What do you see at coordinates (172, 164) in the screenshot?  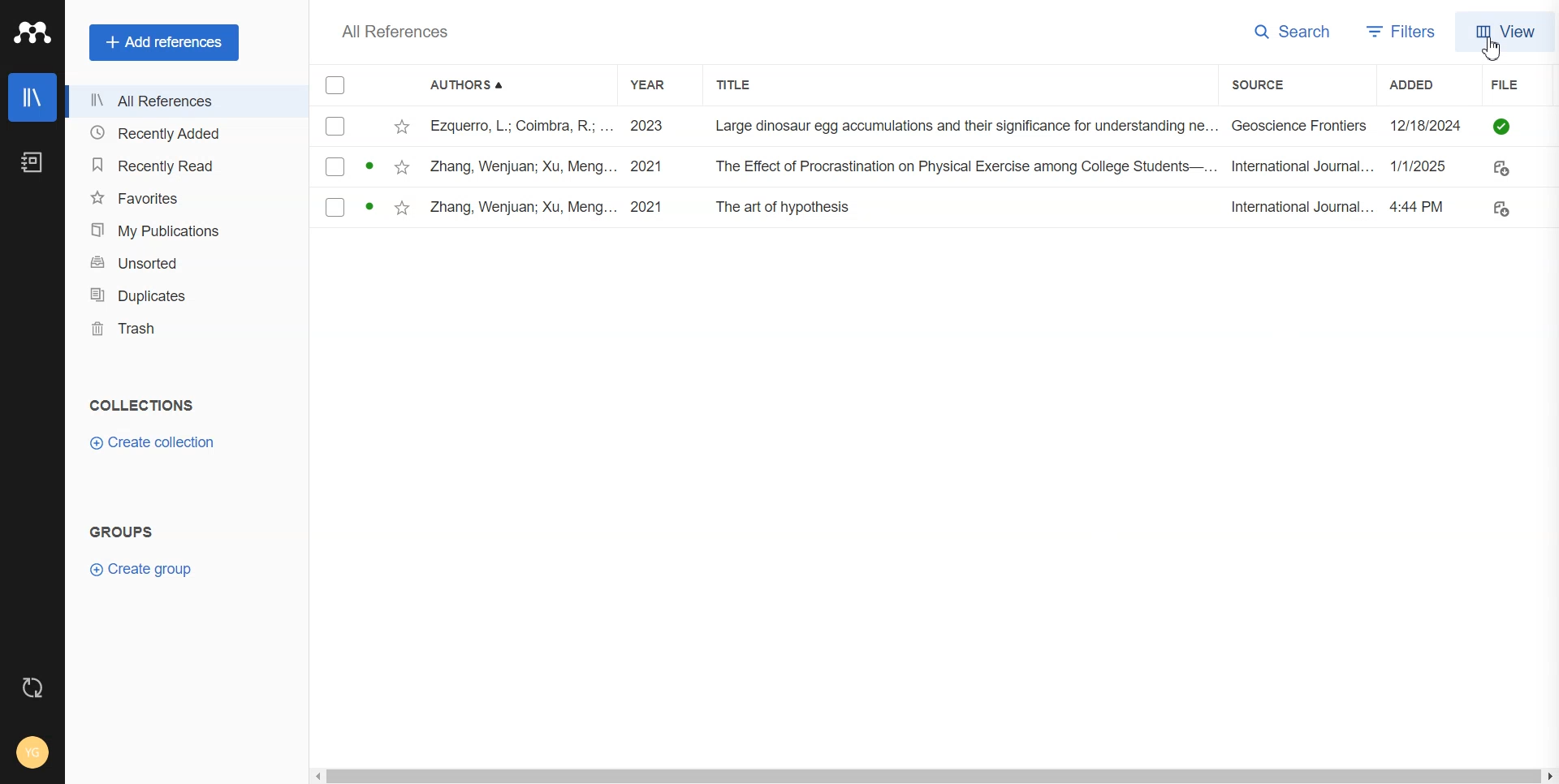 I see `Recently Read` at bounding box center [172, 164].